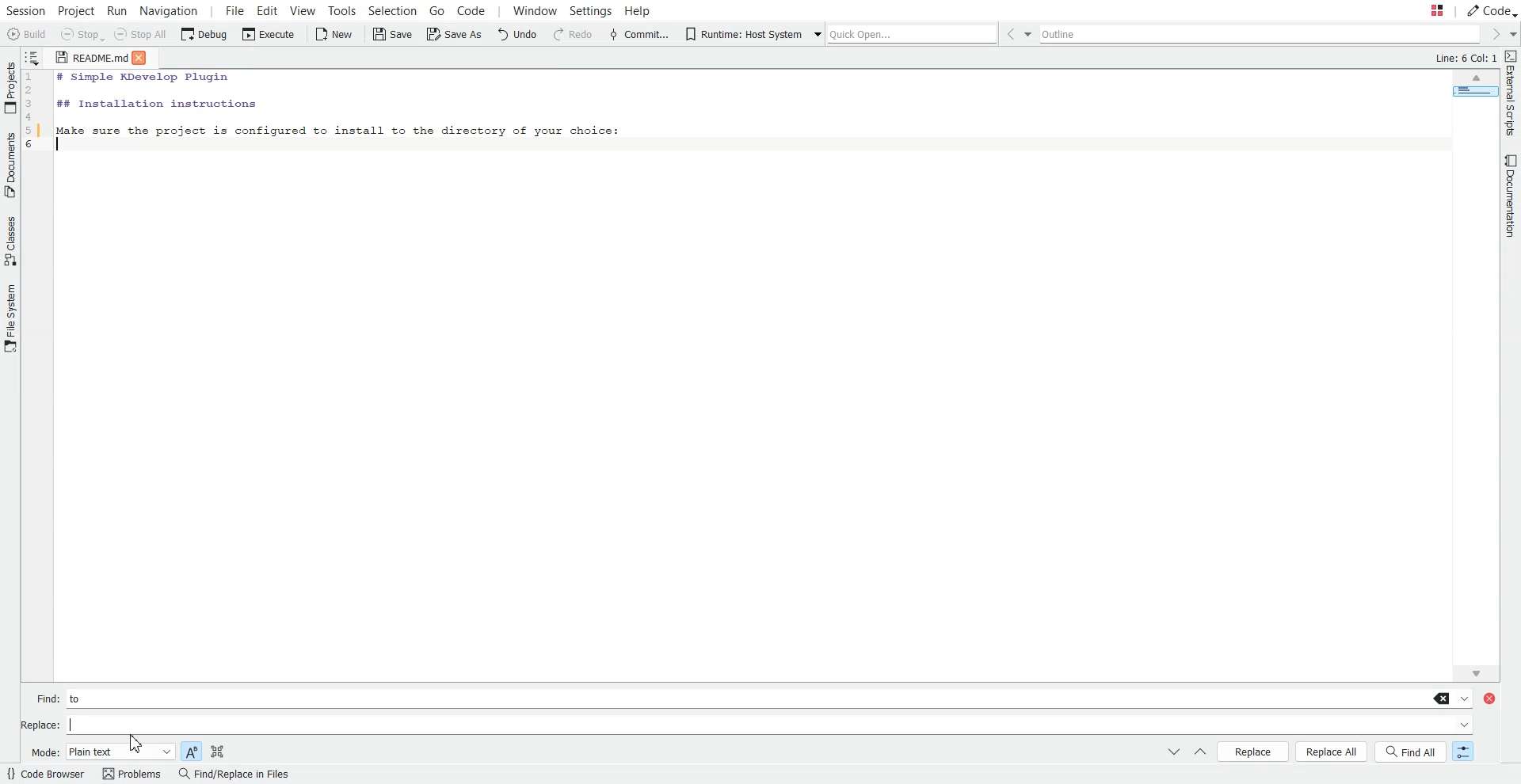 This screenshot has width=1521, height=784. Describe the element at coordinates (83, 698) in the screenshot. I see `to (text)` at that location.